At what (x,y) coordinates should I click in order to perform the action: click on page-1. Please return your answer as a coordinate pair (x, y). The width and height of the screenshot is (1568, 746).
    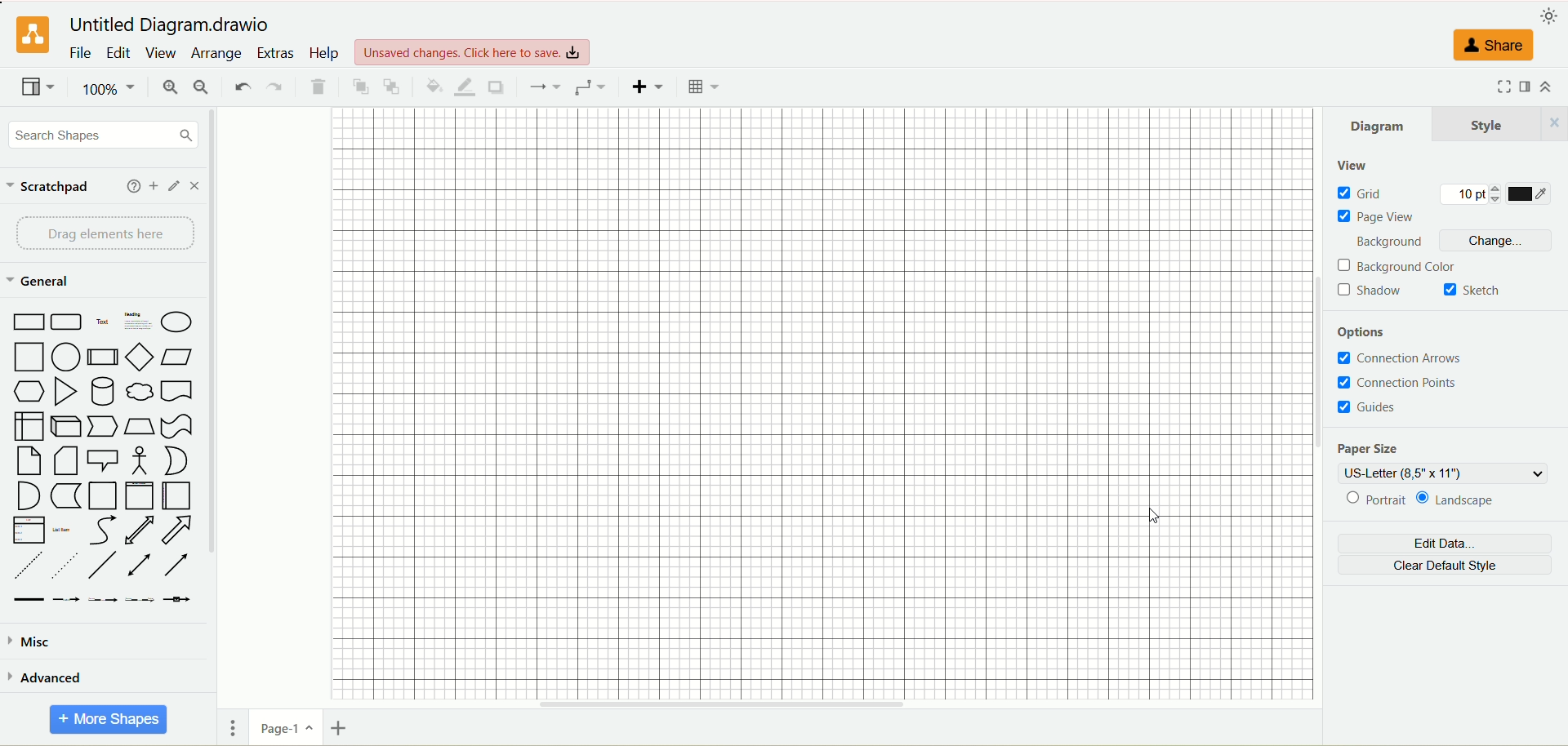
    Looking at the image, I should click on (291, 730).